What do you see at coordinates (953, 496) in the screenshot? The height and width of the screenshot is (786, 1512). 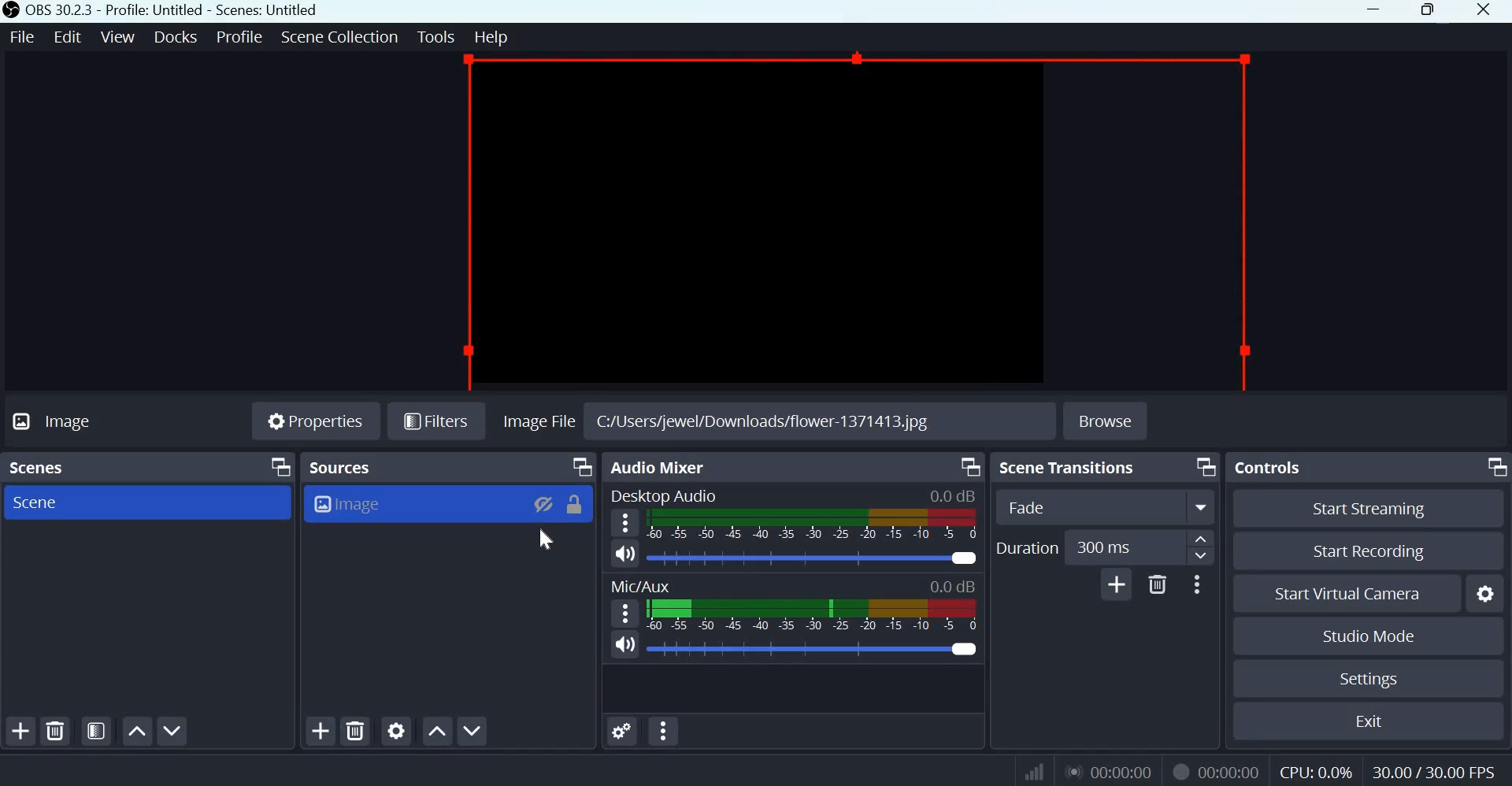 I see `Audio Level Indicator` at bounding box center [953, 496].